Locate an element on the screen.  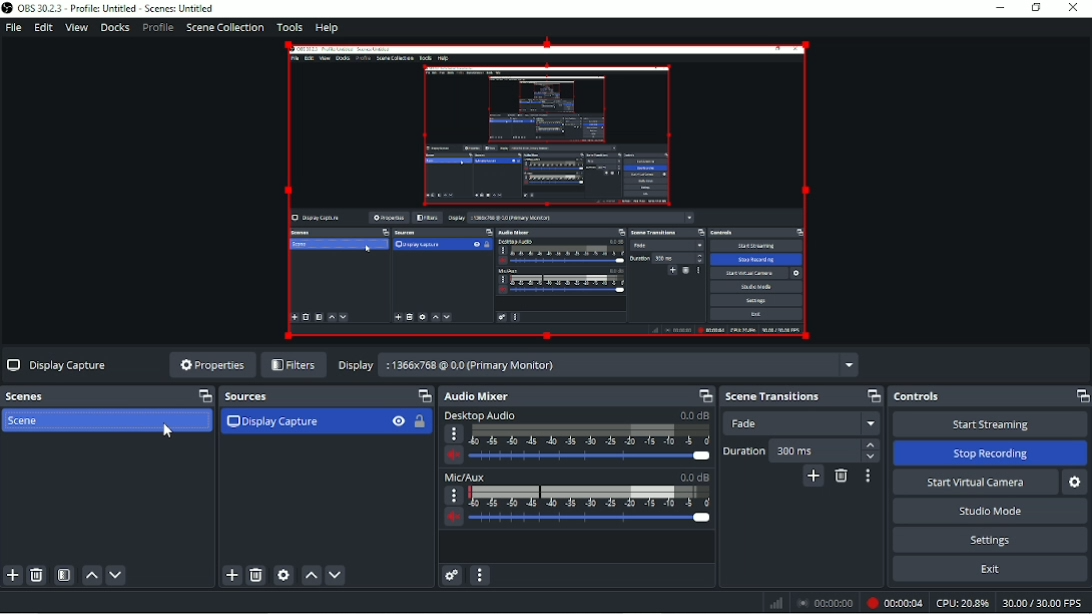
Close is located at coordinates (1074, 9).